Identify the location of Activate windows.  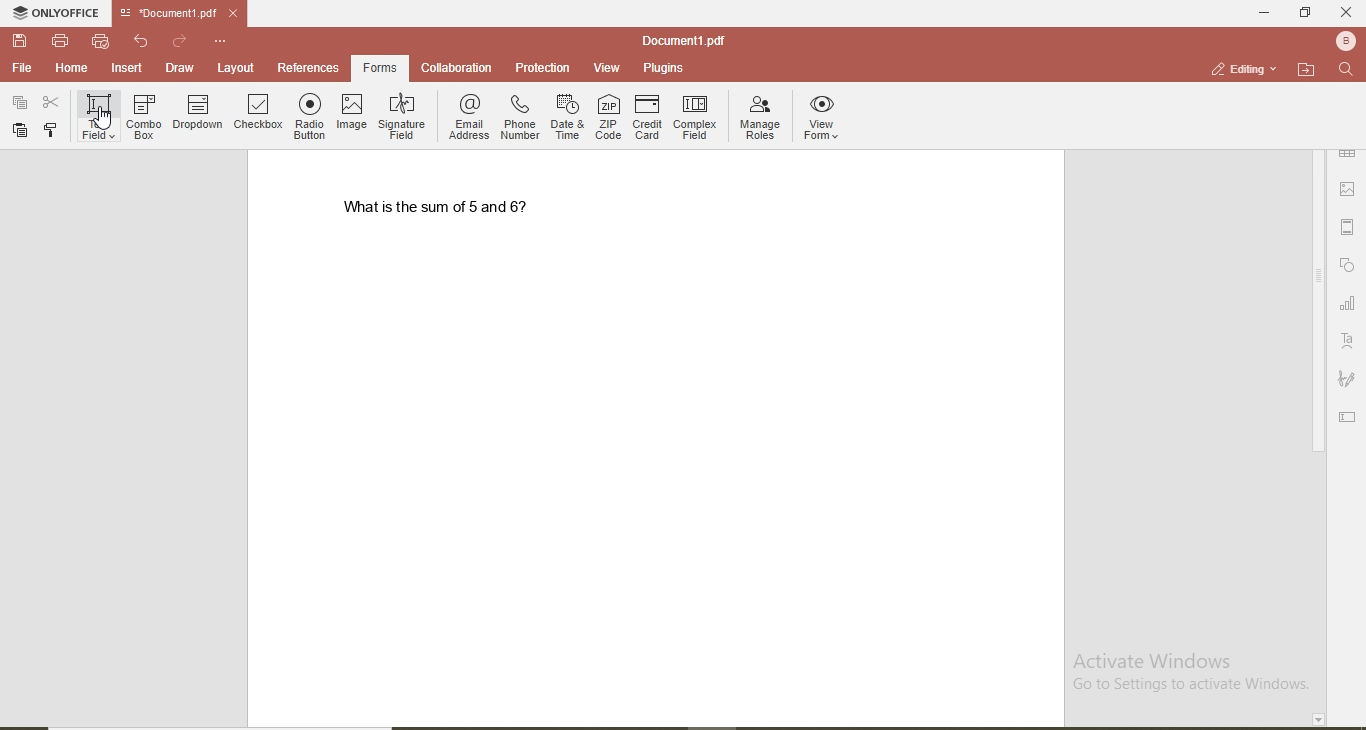
(1195, 671).